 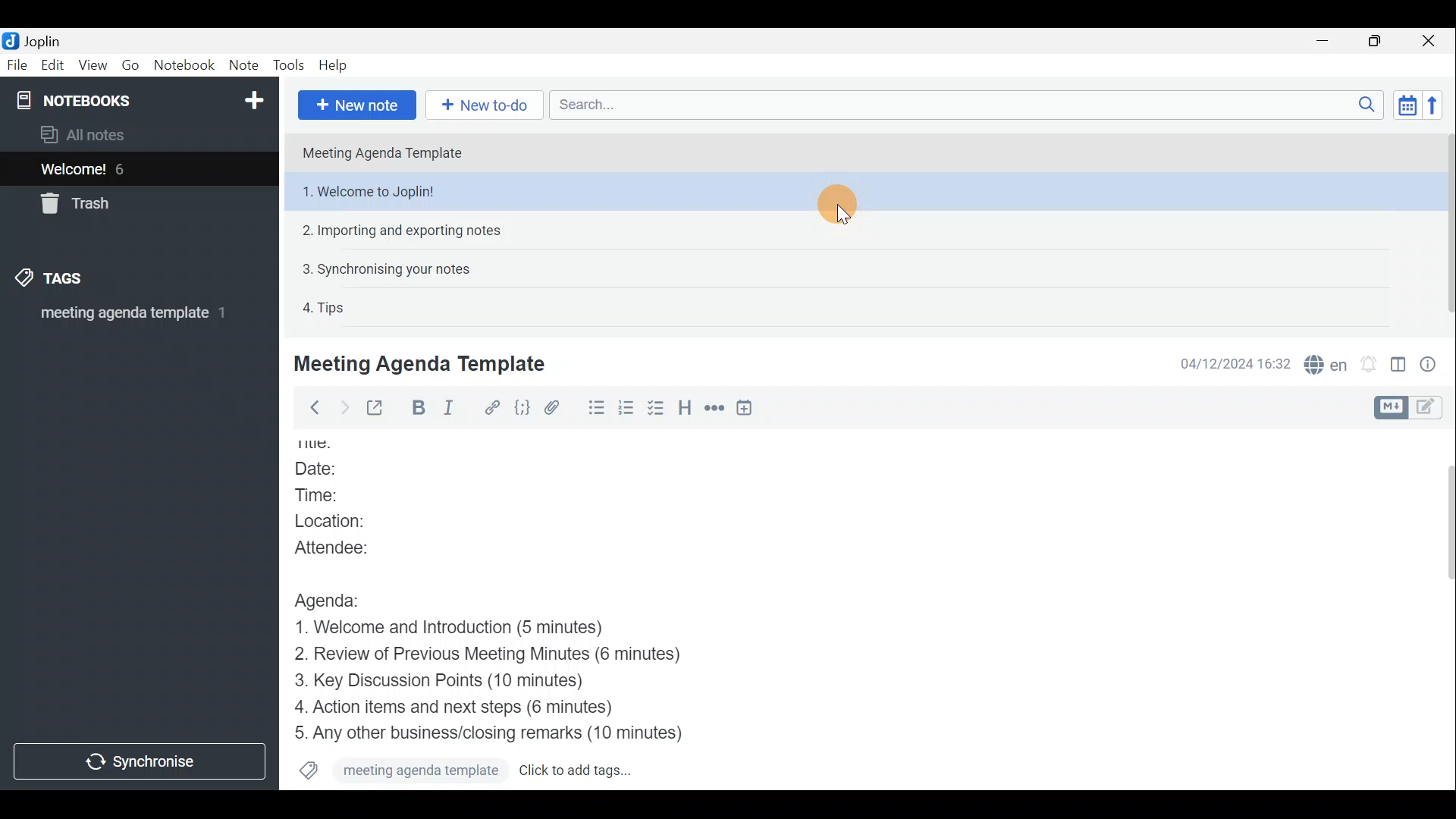 I want to click on Key Discussion Points (10 minutes), so click(x=445, y=682).